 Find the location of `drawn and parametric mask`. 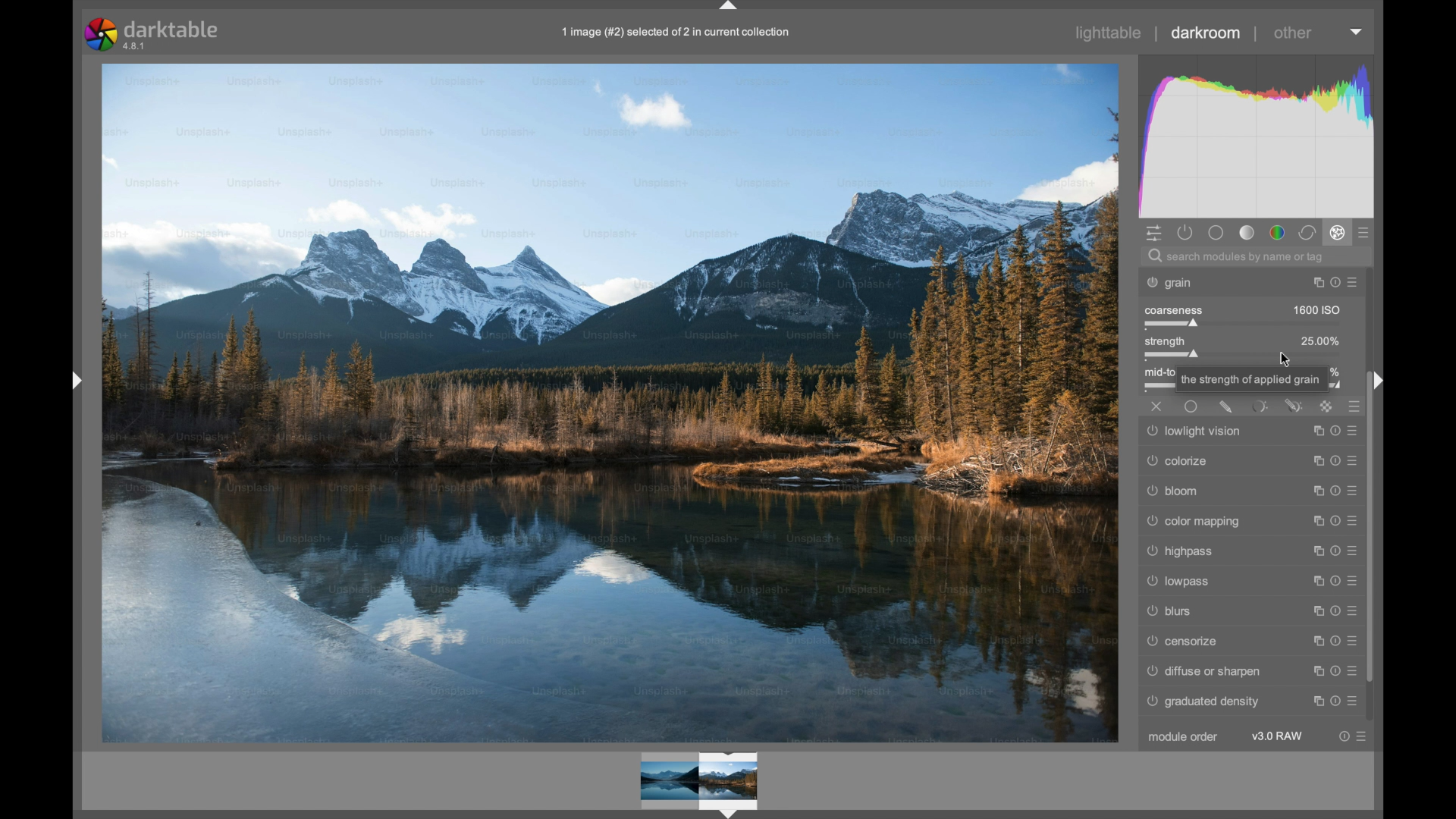

drawn and parametric mask is located at coordinates (1295, 405).